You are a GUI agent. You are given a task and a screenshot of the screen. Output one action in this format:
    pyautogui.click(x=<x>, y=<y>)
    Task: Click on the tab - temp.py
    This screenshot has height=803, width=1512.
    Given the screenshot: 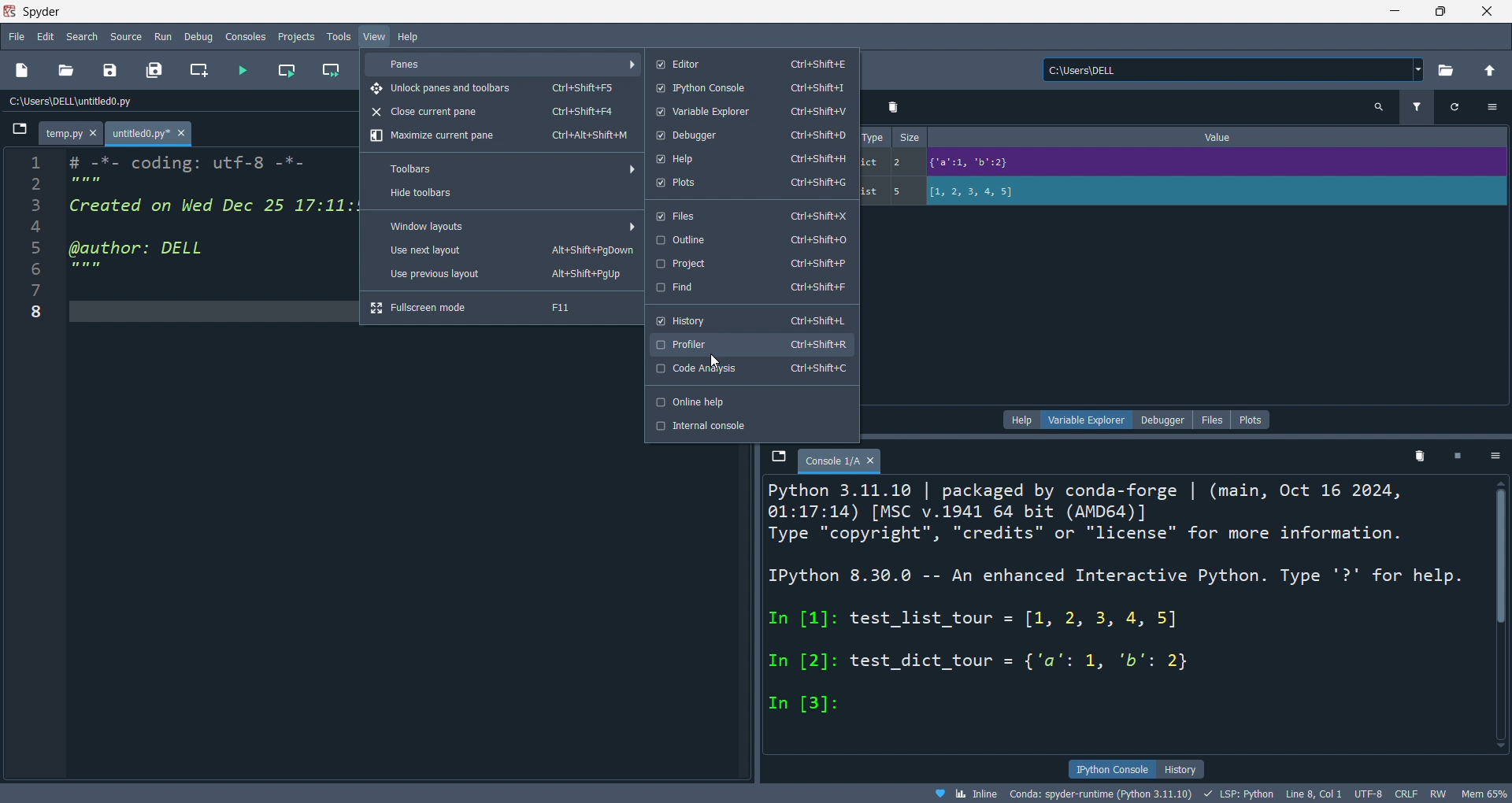 What is the action you would take?
    pyautogui.click(x=70, y=134)
    